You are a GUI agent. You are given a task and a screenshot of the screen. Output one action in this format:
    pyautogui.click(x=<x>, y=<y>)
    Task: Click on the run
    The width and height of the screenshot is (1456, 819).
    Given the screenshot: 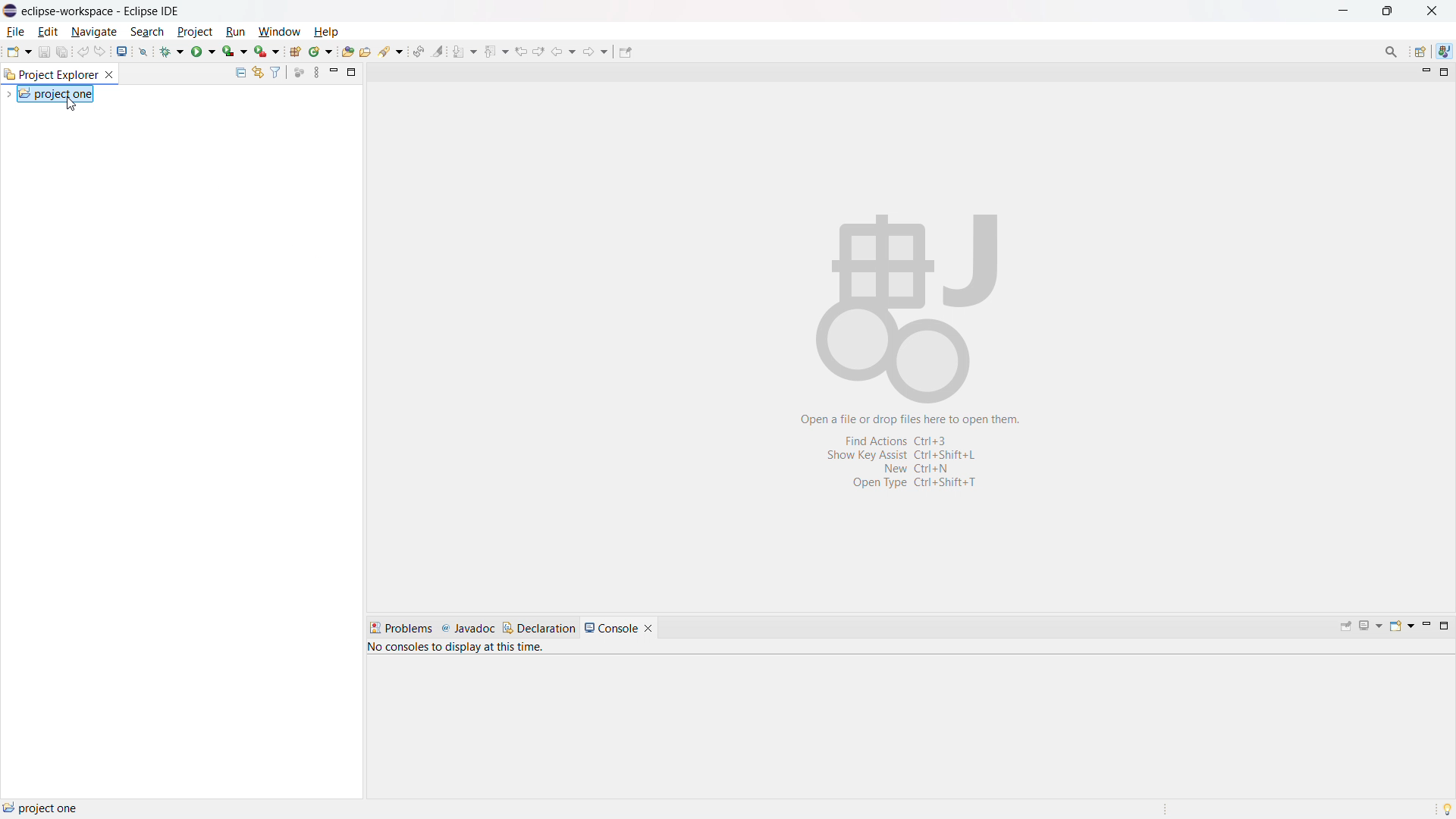 What is the action you would take?
    pyautogui.click(x=203, y=50)
    